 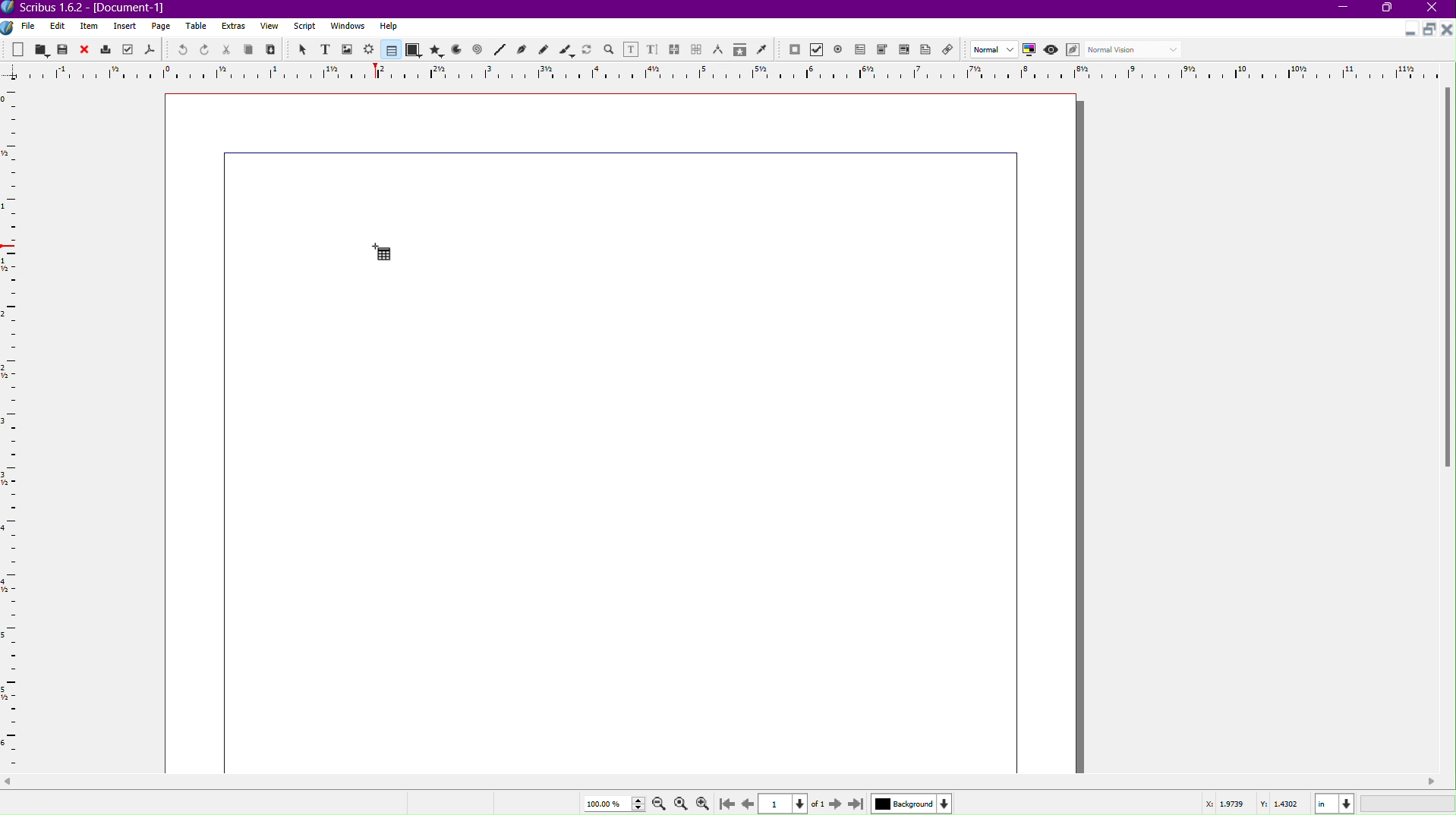 I want to click on Close, so click(x=1447, y=30).